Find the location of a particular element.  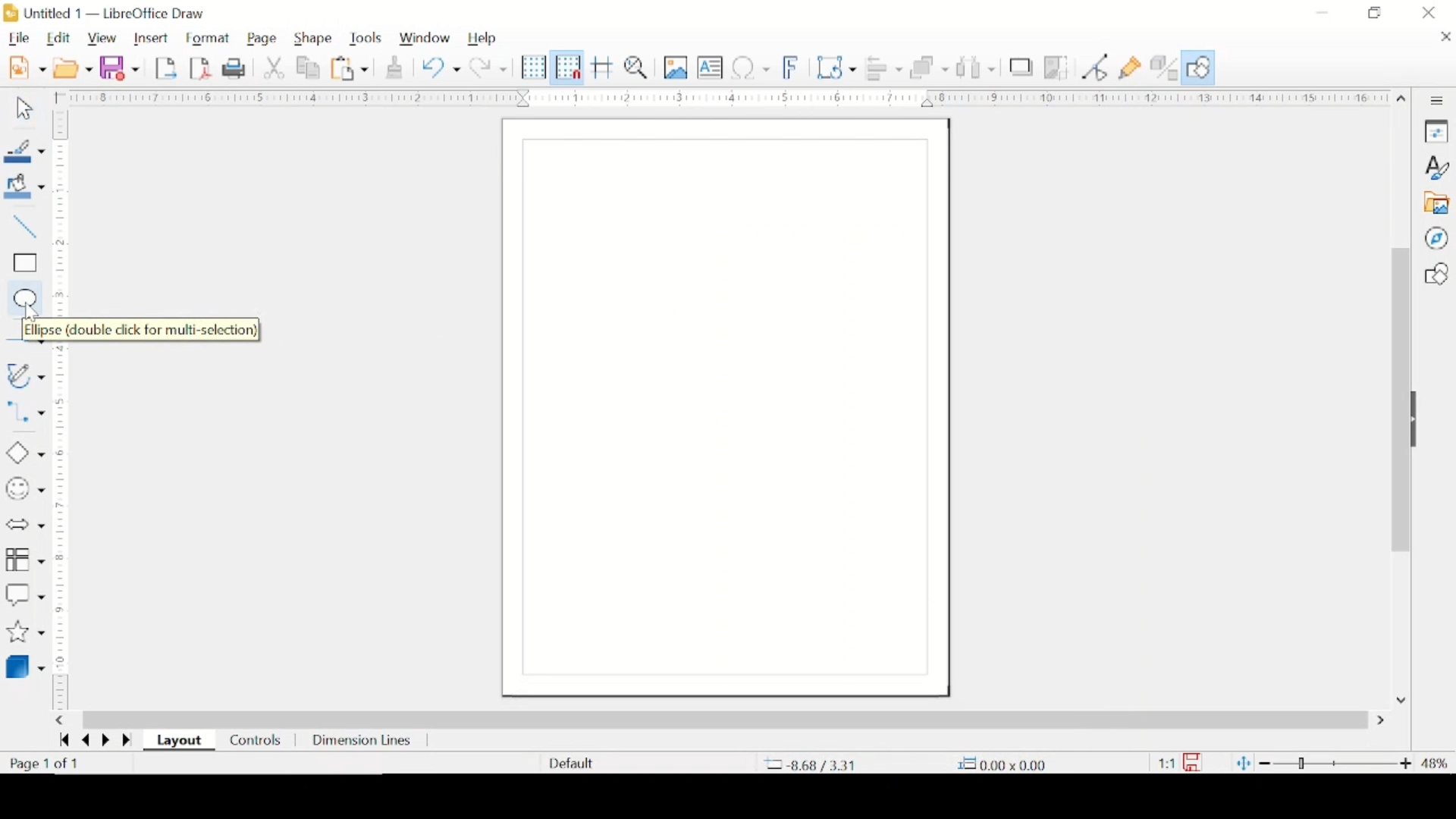

properties is located at coordinates (1438, 132).